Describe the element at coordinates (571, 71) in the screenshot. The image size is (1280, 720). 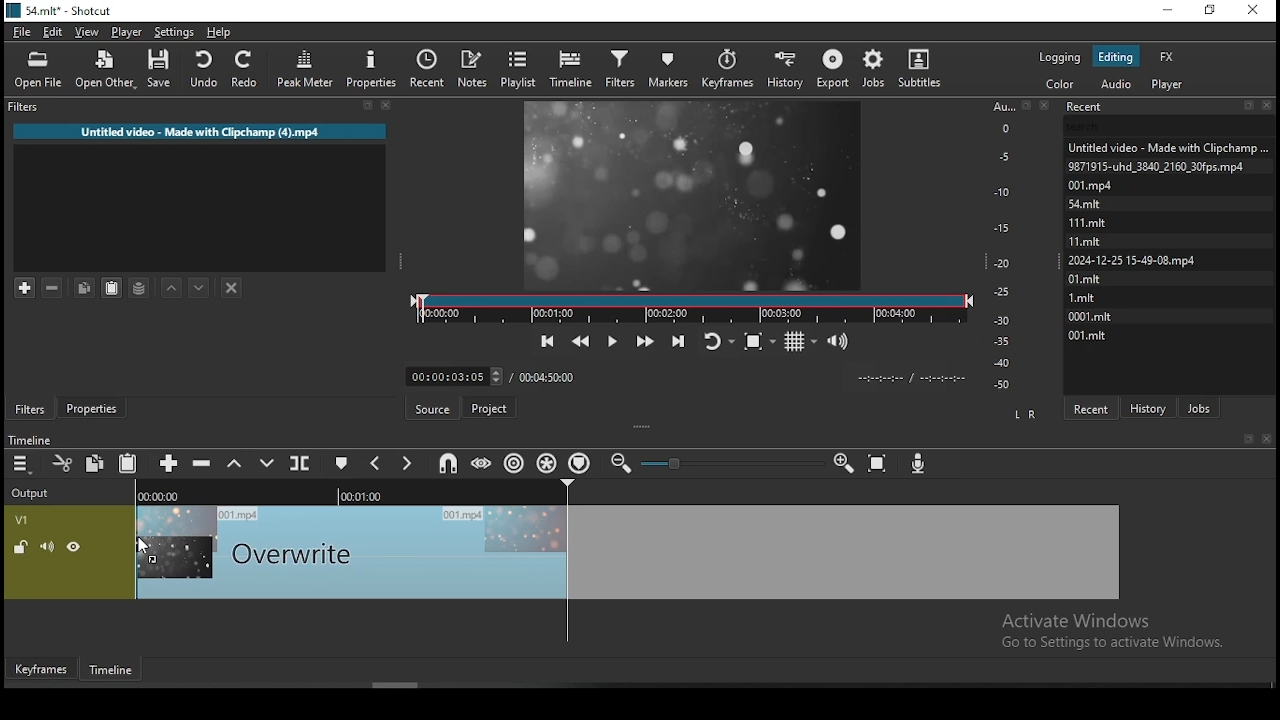
I see `timeline` at that location.